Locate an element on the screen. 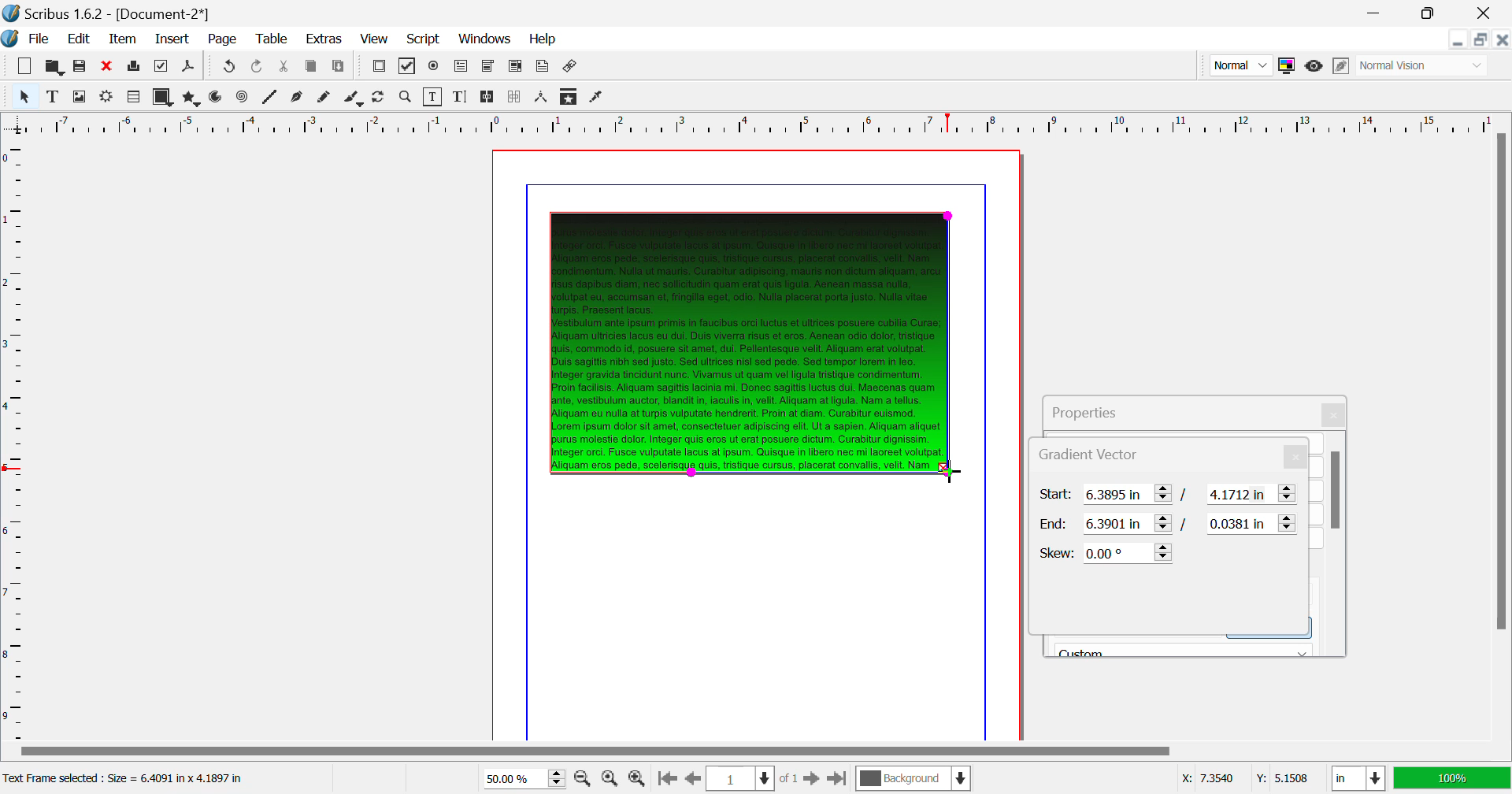  Gradient Vector End is located at coordinates (1170, 524).